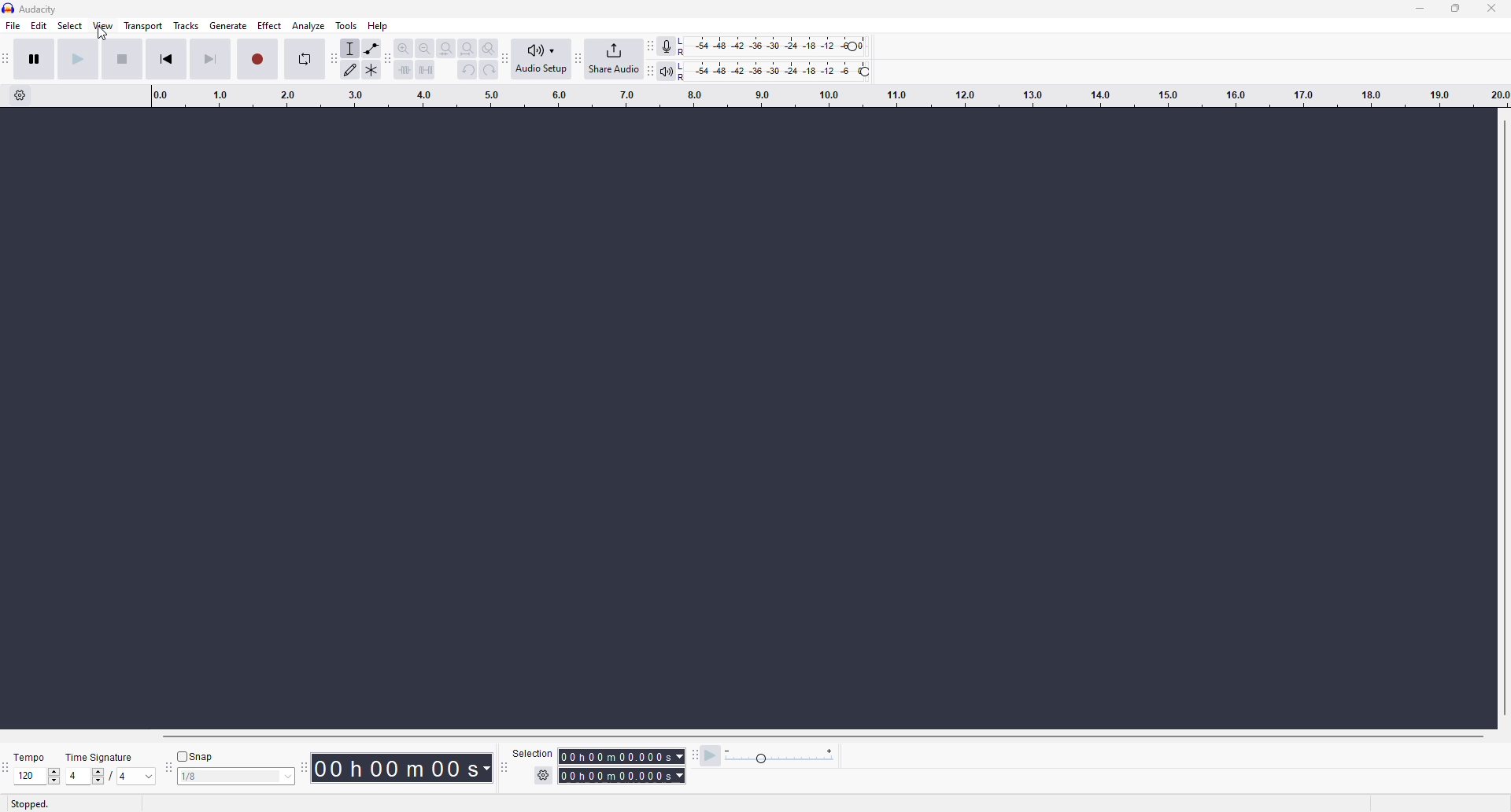  Describe the element at coordinates (228, 27) in the screenshot. I see `generate` at that location.